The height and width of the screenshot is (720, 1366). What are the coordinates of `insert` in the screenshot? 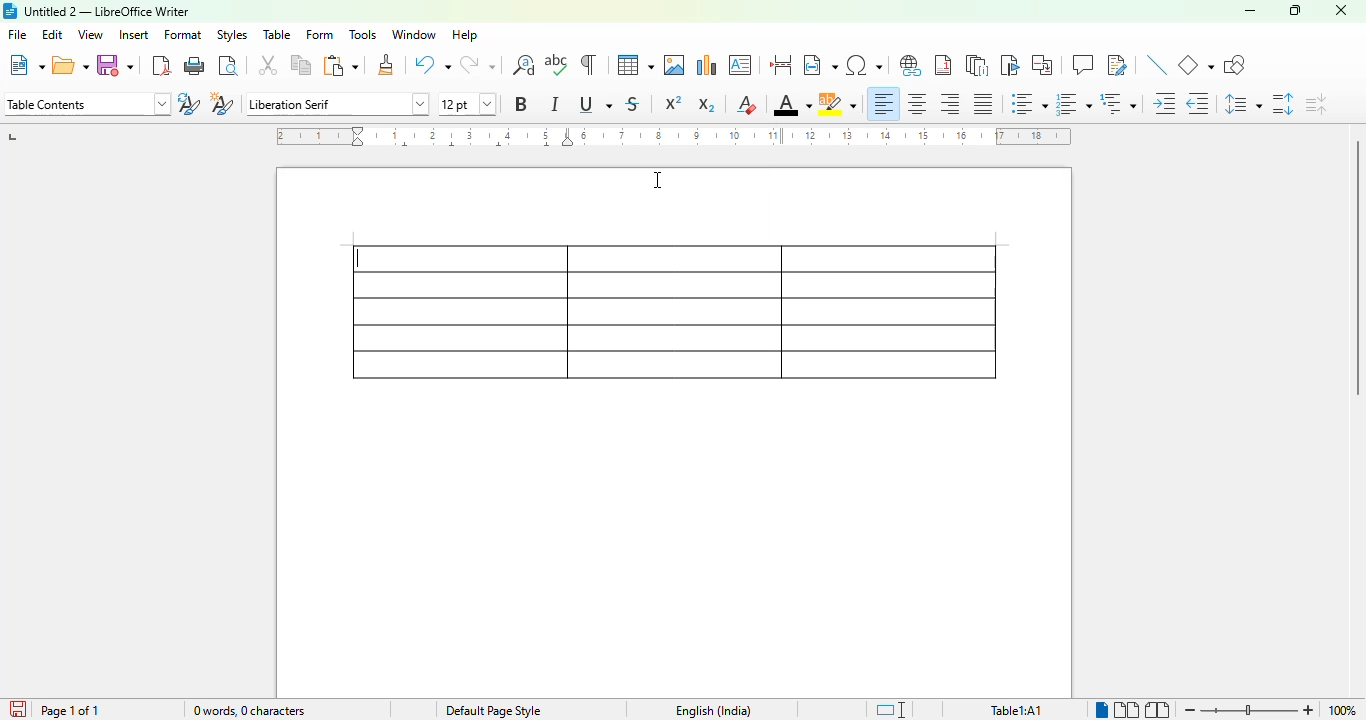 It's located at (134, 34).